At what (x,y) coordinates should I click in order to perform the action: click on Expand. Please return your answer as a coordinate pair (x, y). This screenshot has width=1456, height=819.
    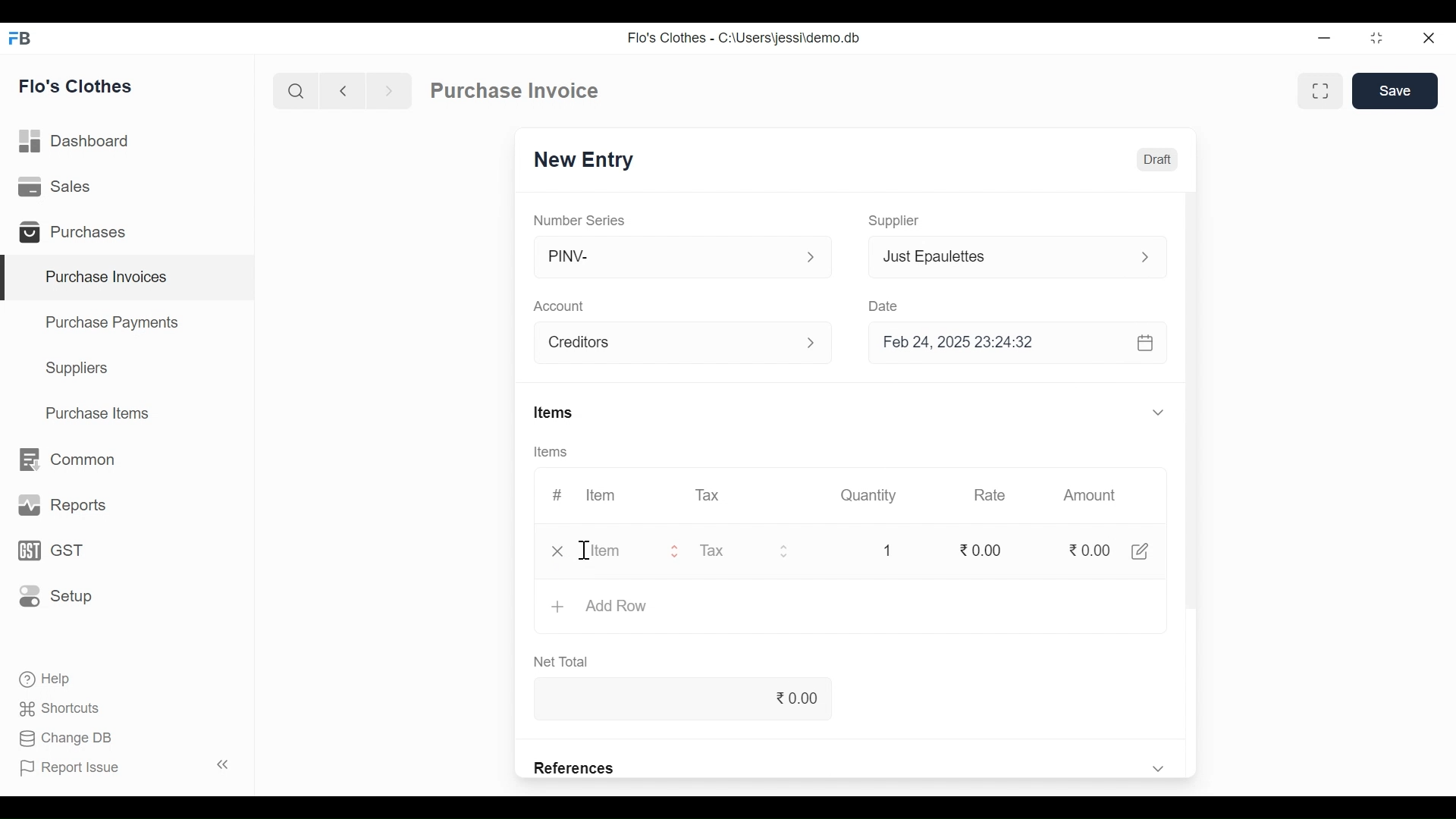
    Looking at the image, I should click on (817, 344).